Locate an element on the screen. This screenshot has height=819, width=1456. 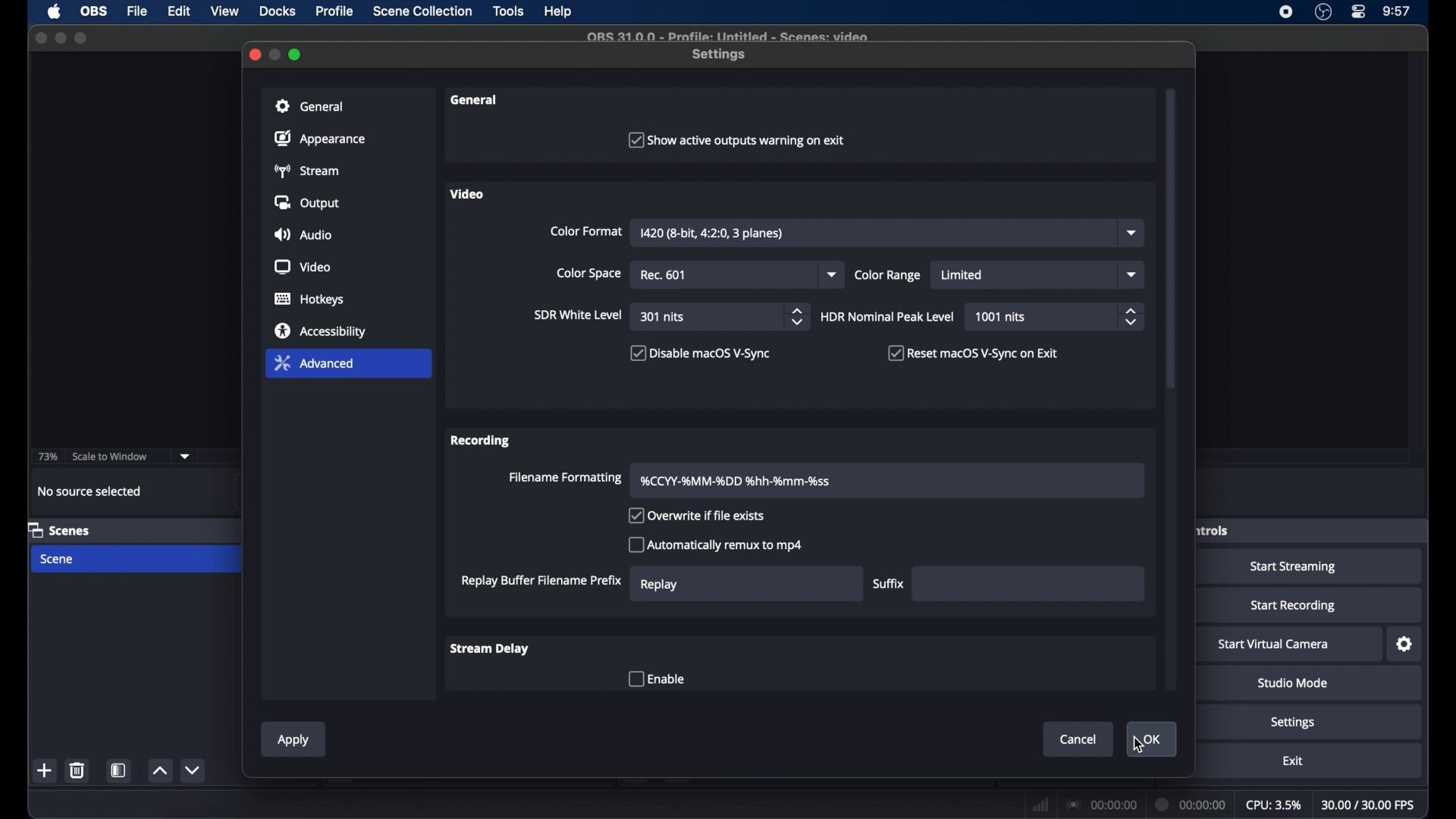
checkbox is located at coordinates (736, 140).